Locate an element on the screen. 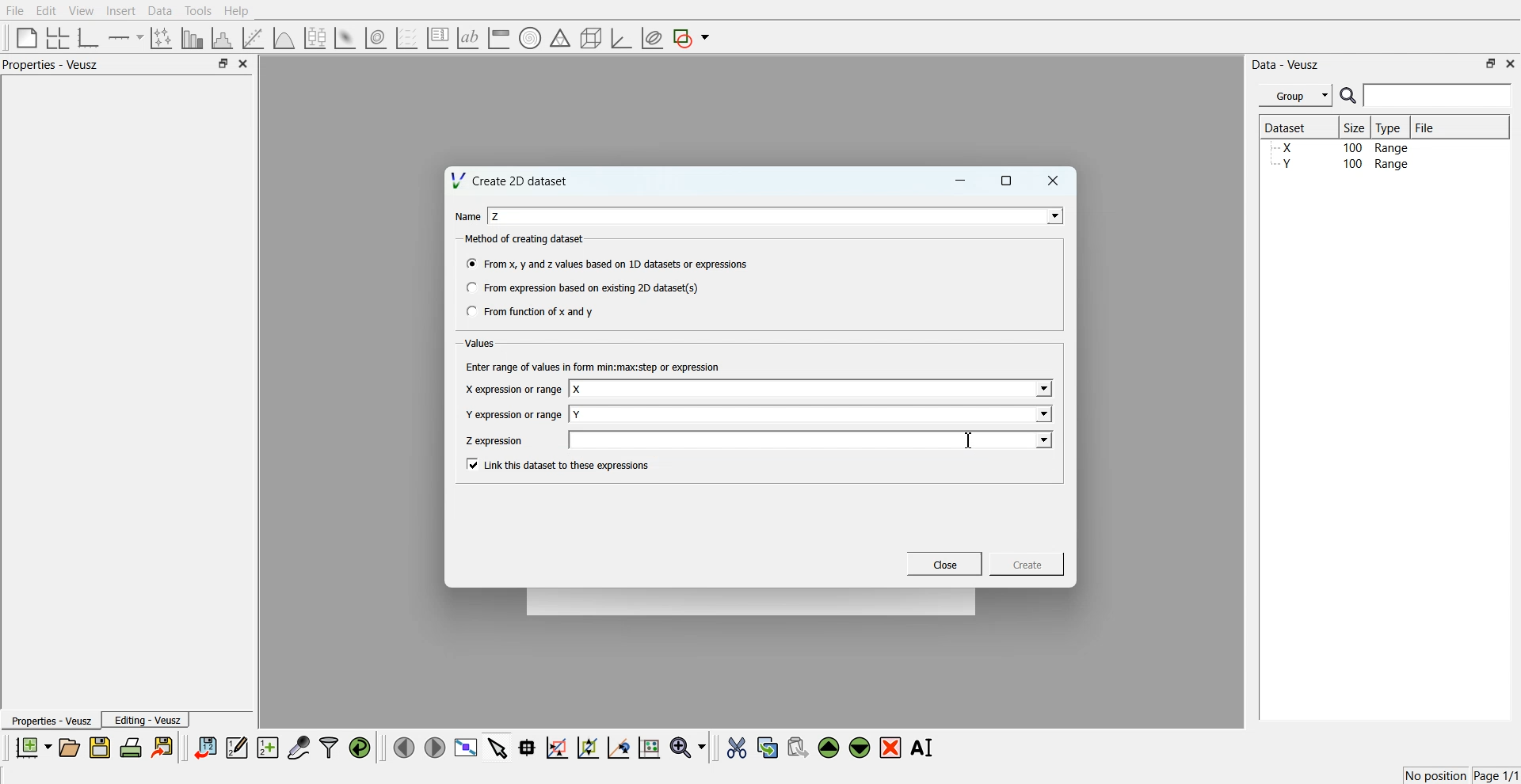 The width and height of the screenshot is (1521, 784). Cut the selected widget is located at coordinates (737, 748).